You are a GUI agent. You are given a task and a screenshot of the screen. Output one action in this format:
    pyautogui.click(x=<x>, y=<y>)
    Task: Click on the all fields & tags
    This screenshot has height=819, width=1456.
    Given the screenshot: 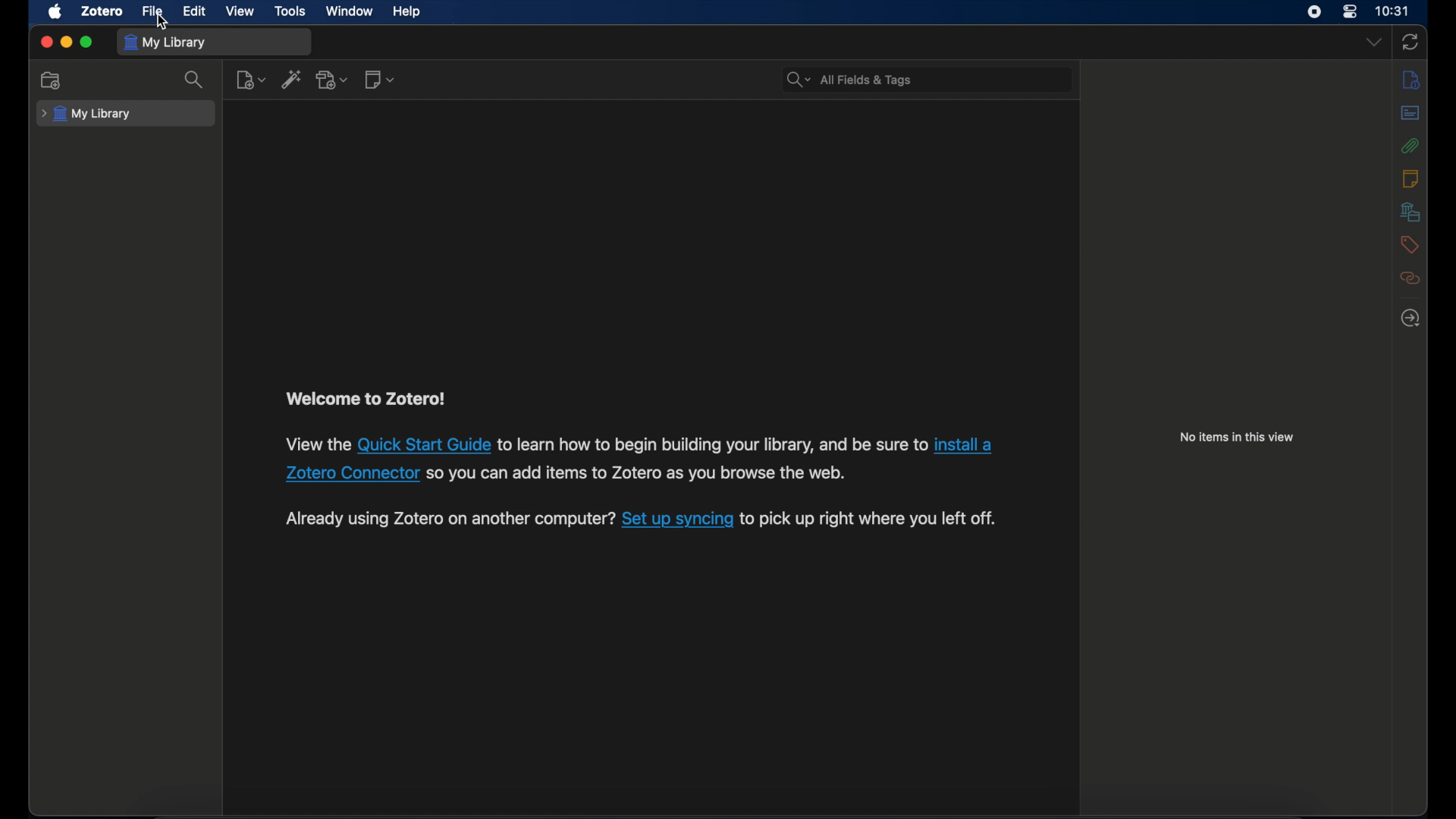 What is the action you would take?
    pyautogui.click(x=851, y=80)
    